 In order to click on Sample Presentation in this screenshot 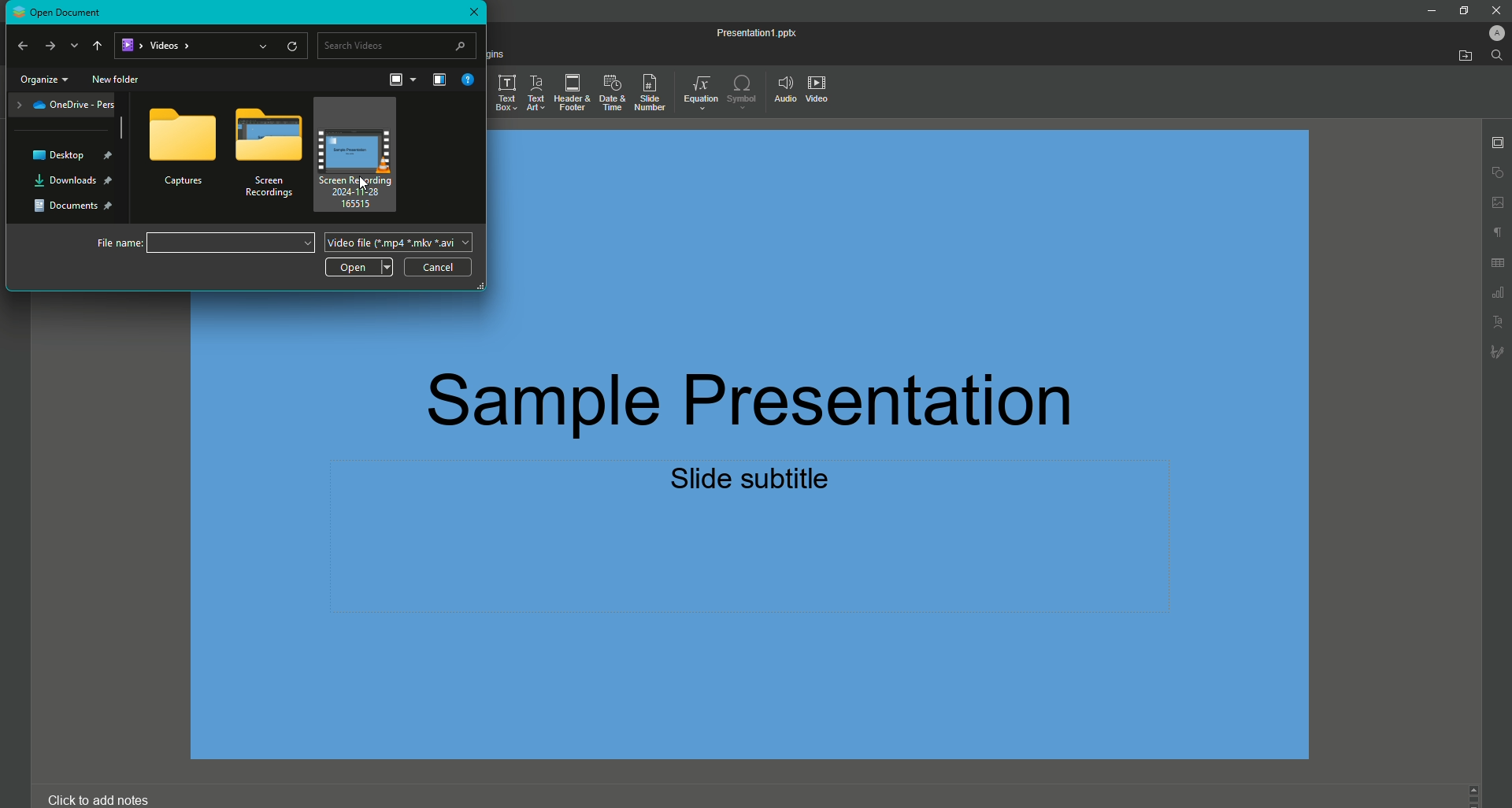, I will do `click(762, 395)`.